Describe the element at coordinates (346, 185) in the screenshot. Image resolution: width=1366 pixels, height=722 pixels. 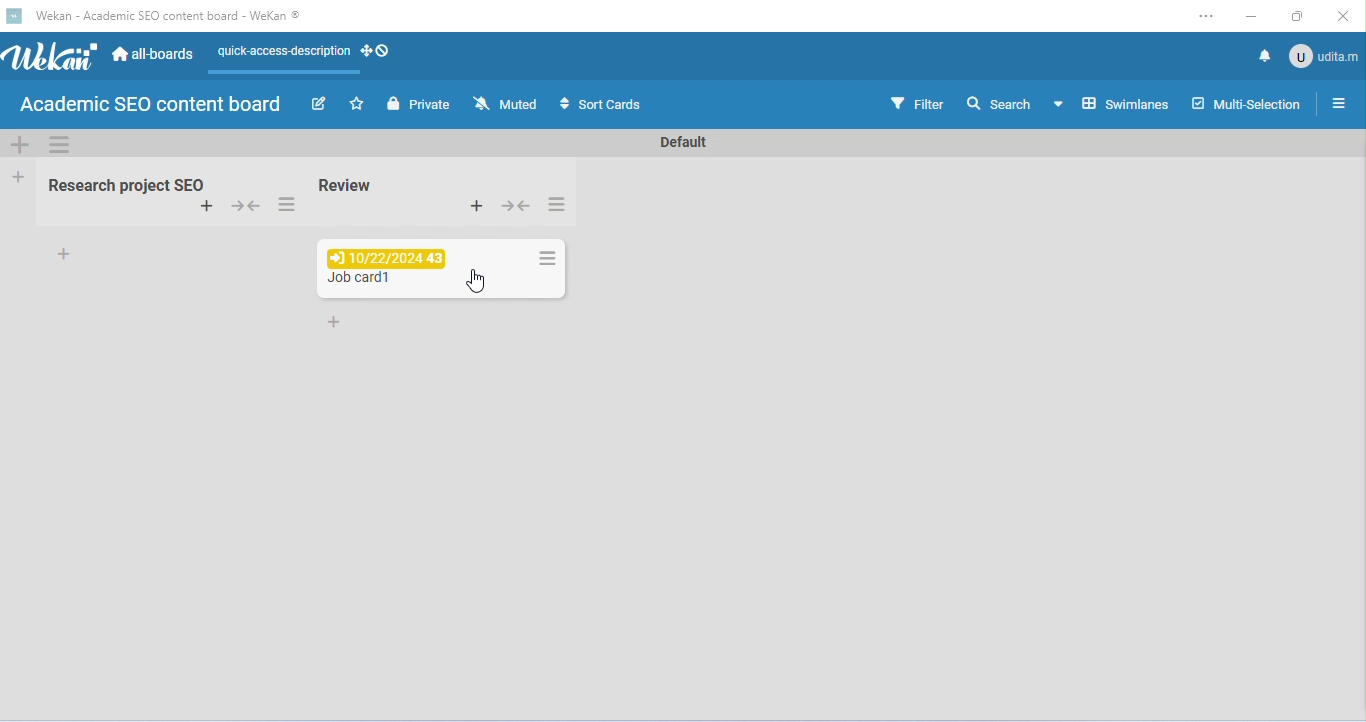
I see `list name : review` at that location.